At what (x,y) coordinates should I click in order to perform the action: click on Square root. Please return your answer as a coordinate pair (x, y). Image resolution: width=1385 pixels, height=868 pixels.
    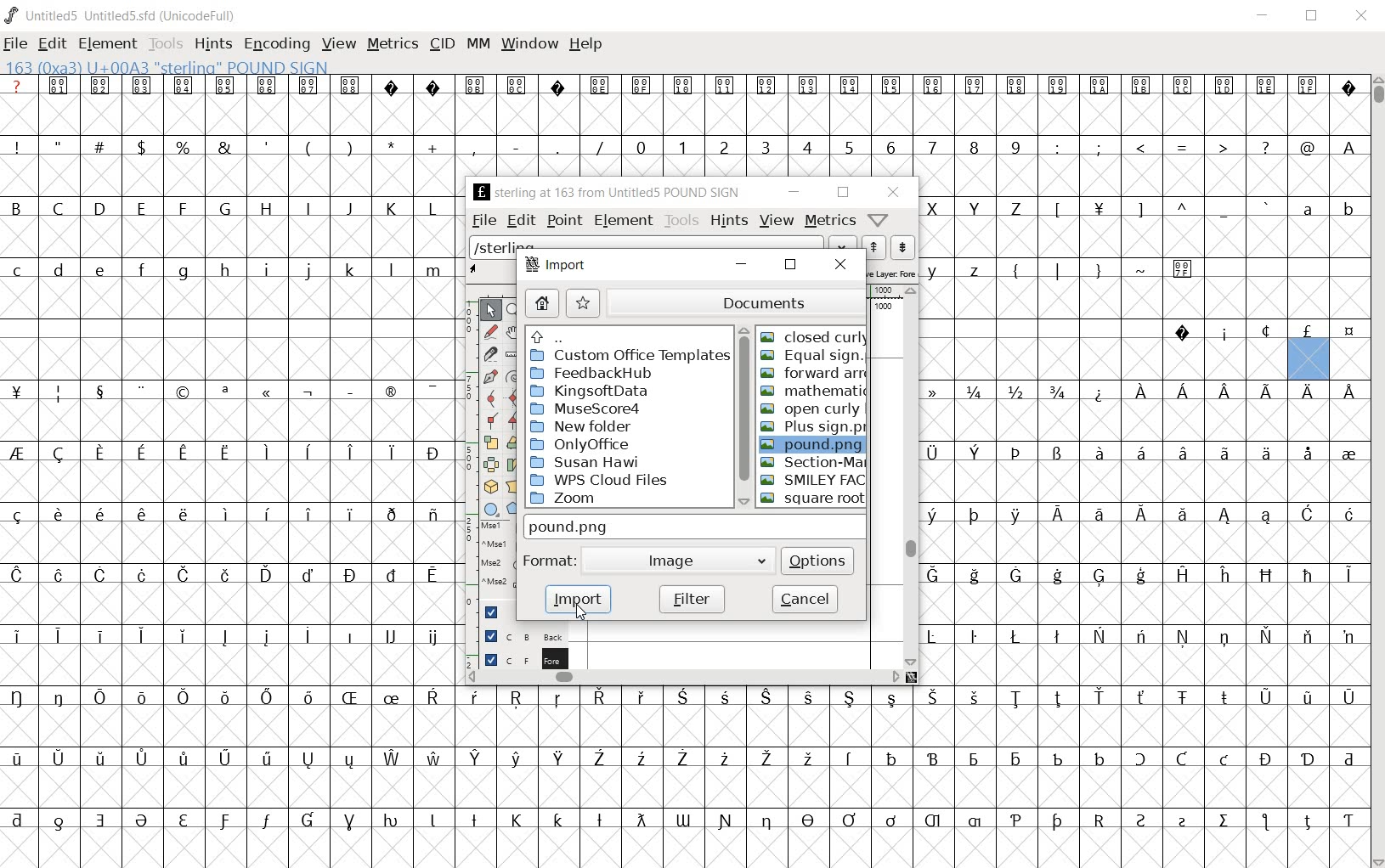
    Looking at the image, I should click on (811, 499).